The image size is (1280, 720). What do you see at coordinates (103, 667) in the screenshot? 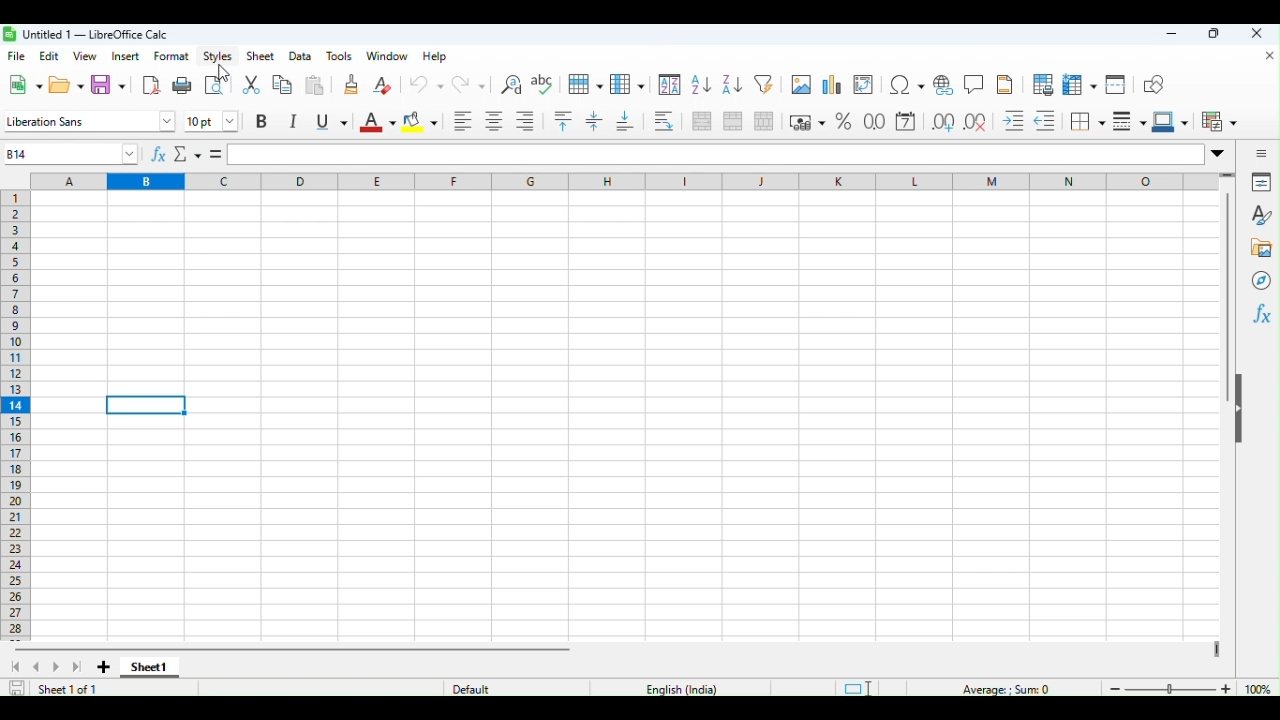
I see `New sheet` at bounding box center [103, 667].